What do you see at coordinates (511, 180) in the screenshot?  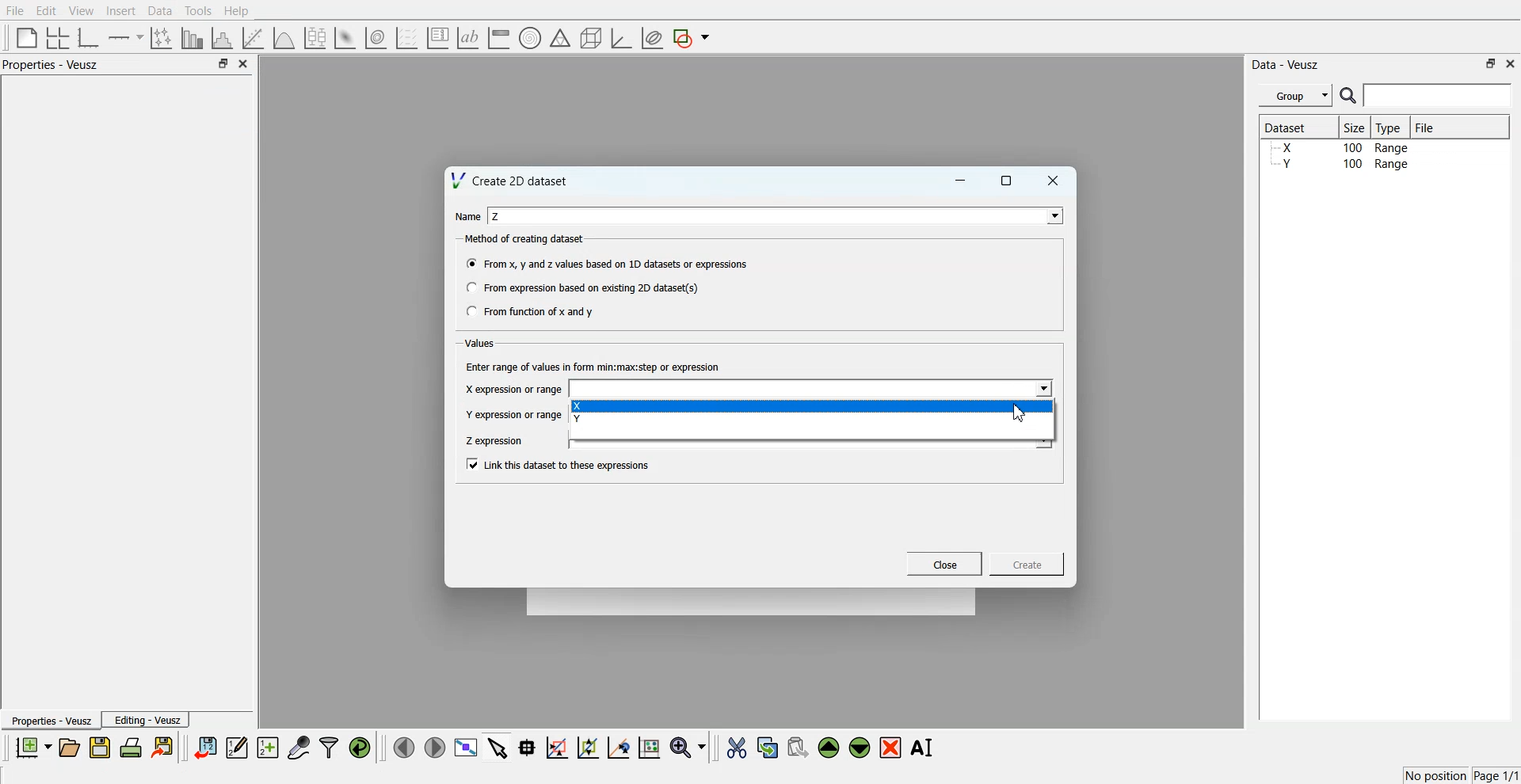 I see `V/ Create 2D dataset` at bounding box center [511, 180].